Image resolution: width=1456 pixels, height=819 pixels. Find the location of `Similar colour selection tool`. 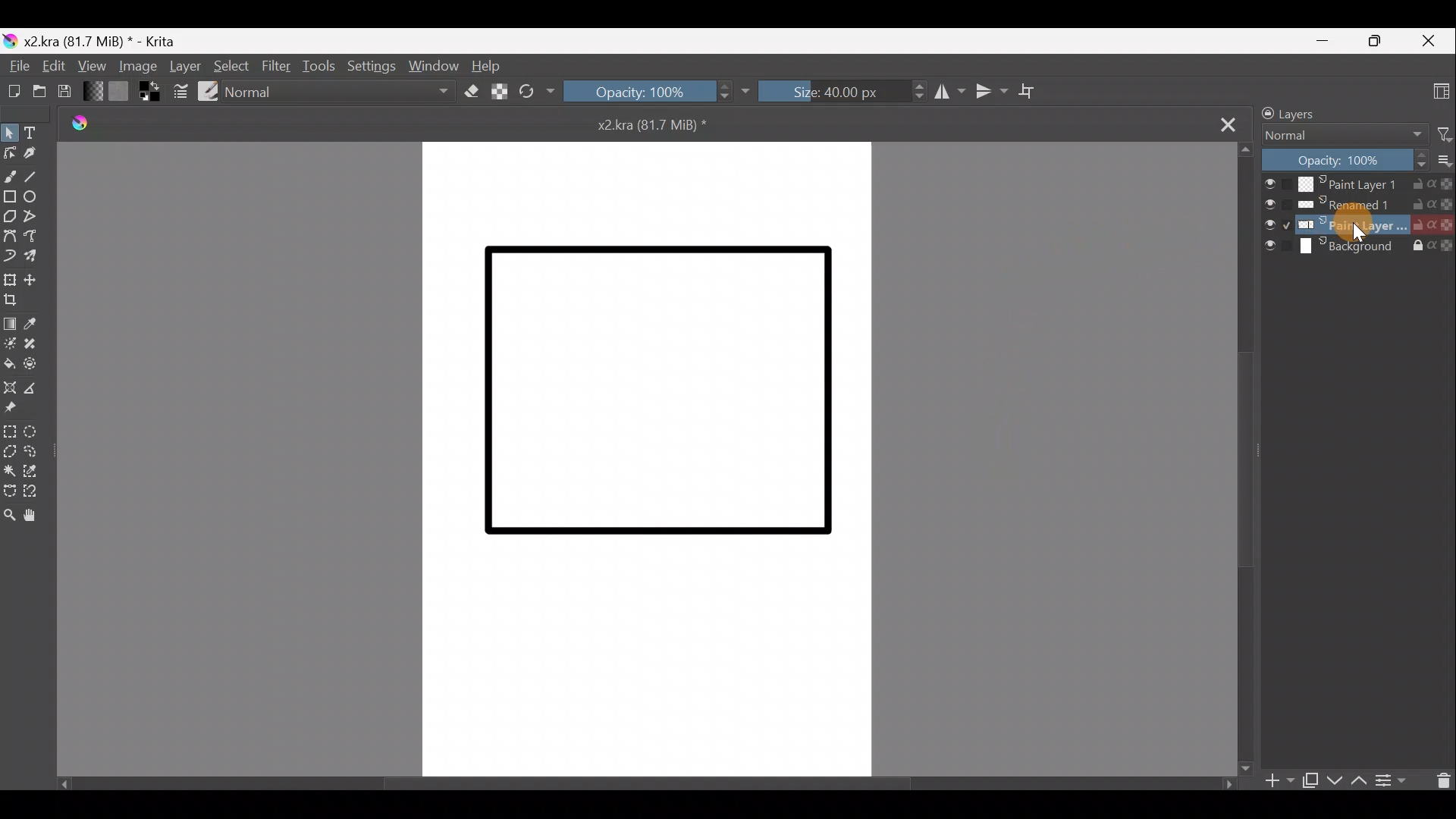

Similar colour selection tool is located at coordinates (33, 472).